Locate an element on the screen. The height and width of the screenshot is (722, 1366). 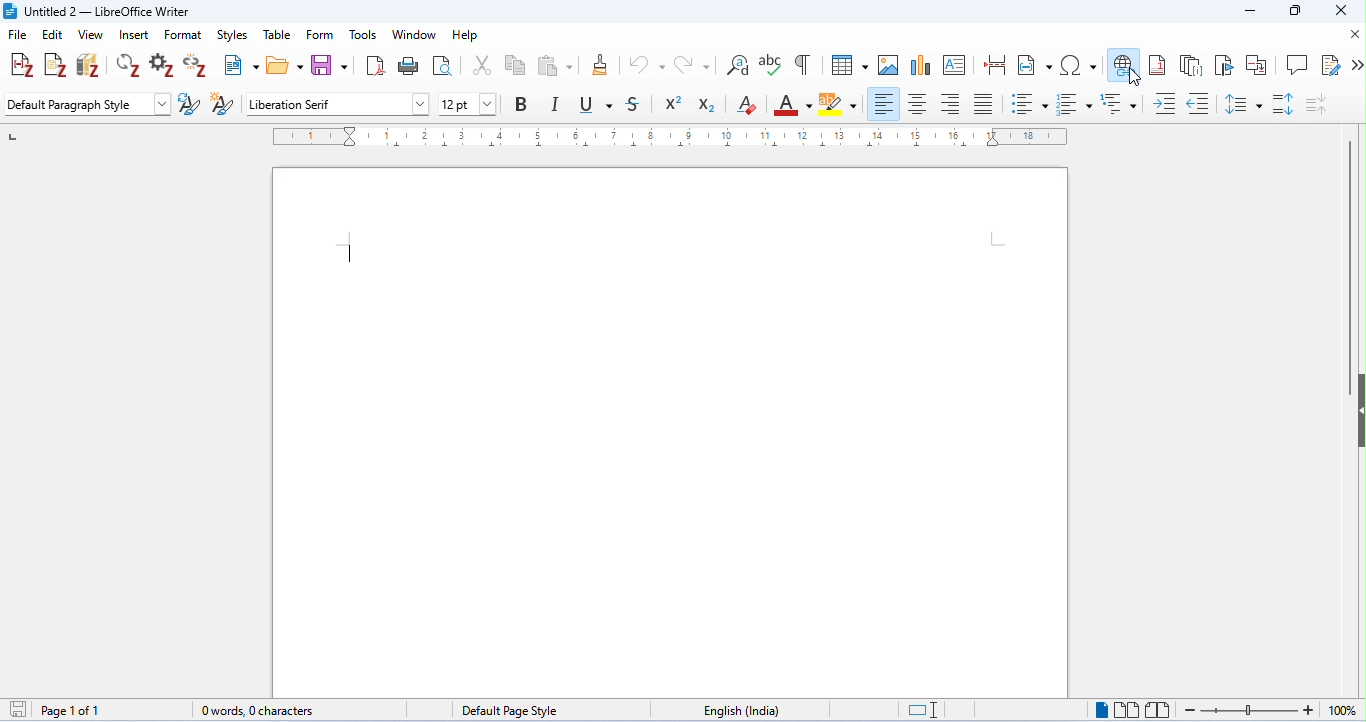
book view is located at coordinates (1159, 710).